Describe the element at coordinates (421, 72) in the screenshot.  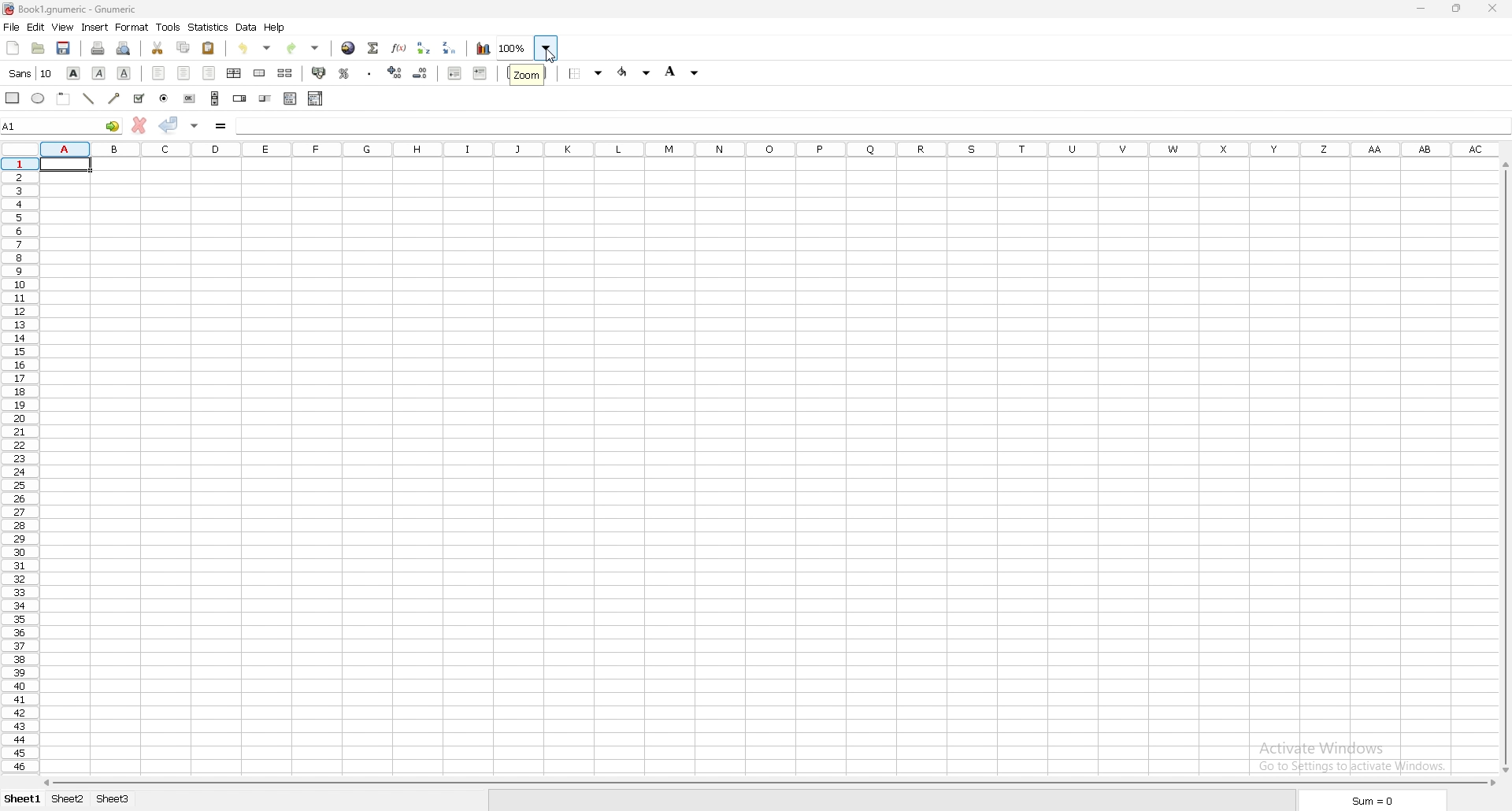
I see `decrease decimals` at that location.